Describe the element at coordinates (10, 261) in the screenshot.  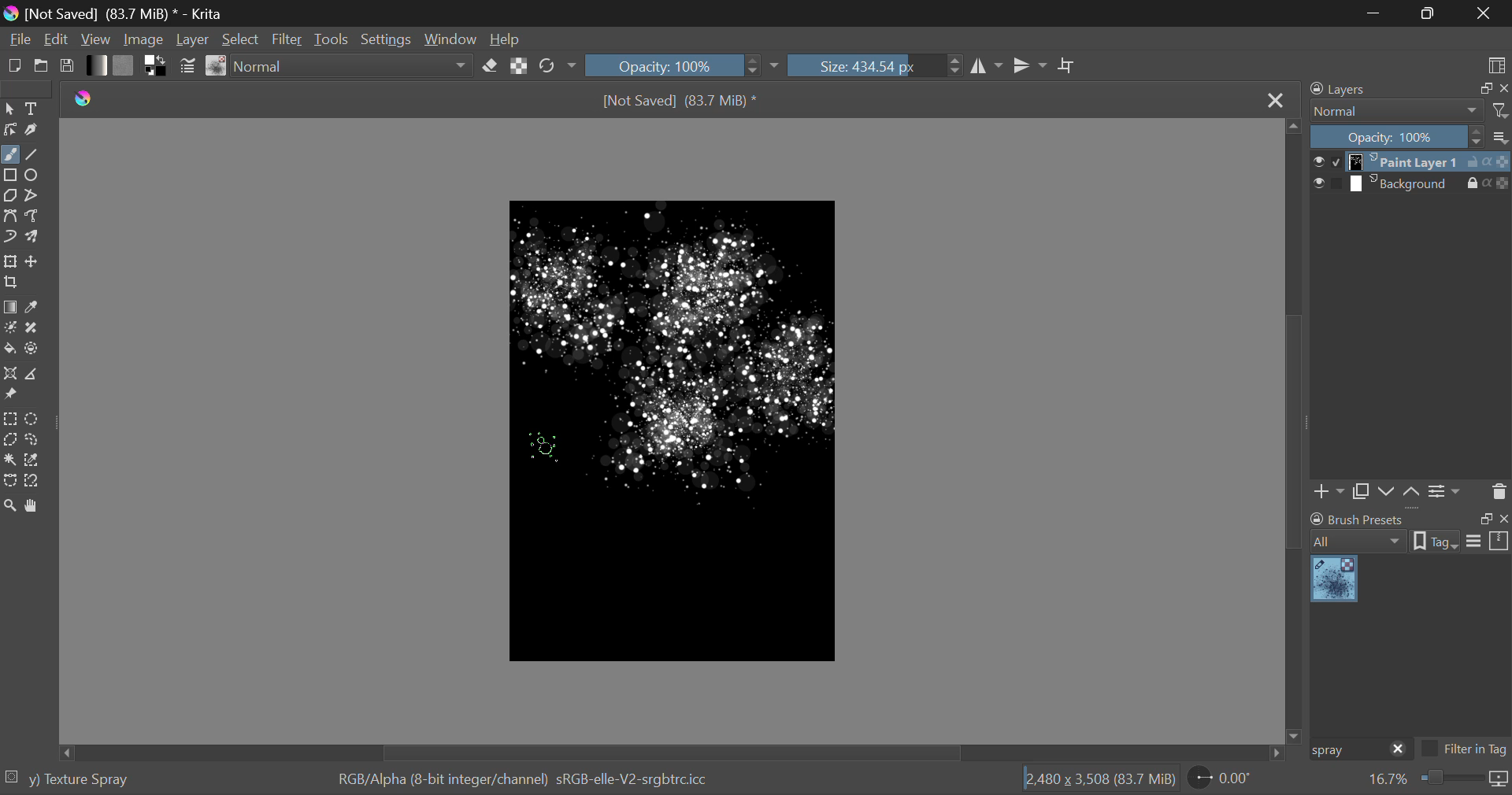
I see `Transform Layer` at that location.